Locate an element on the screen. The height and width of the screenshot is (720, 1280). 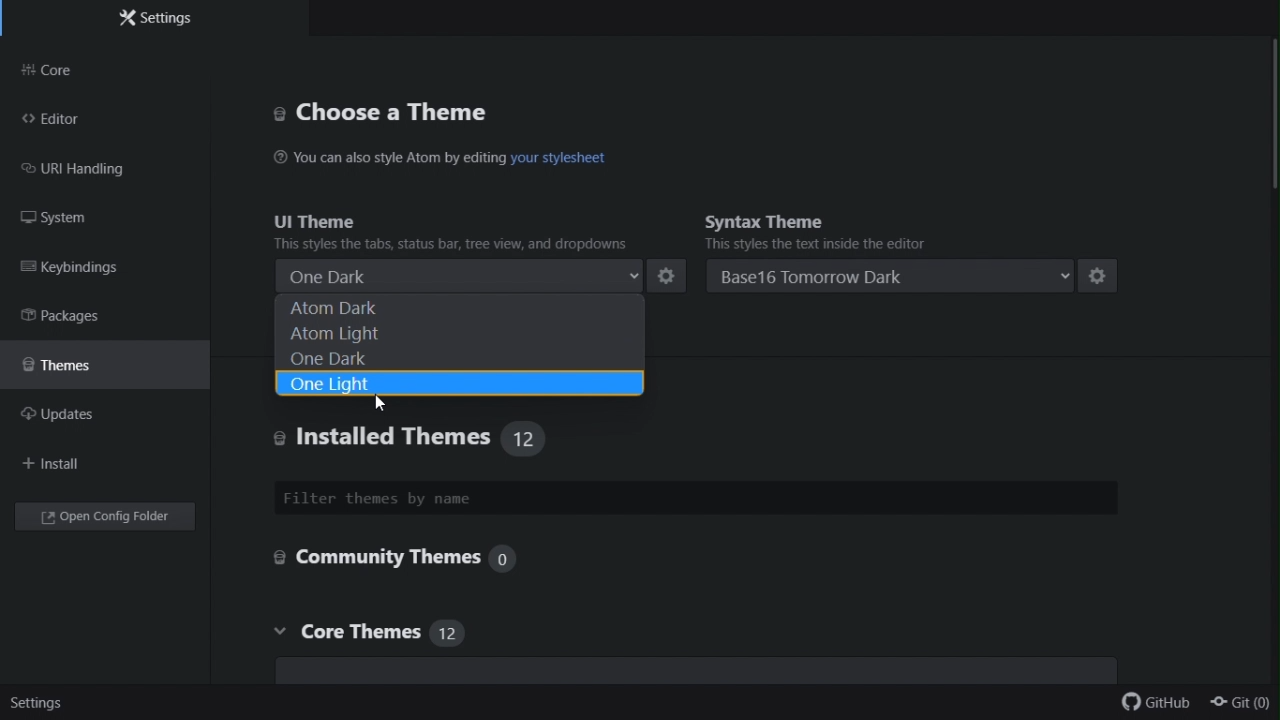
one light is located at coordinates (457, 383).